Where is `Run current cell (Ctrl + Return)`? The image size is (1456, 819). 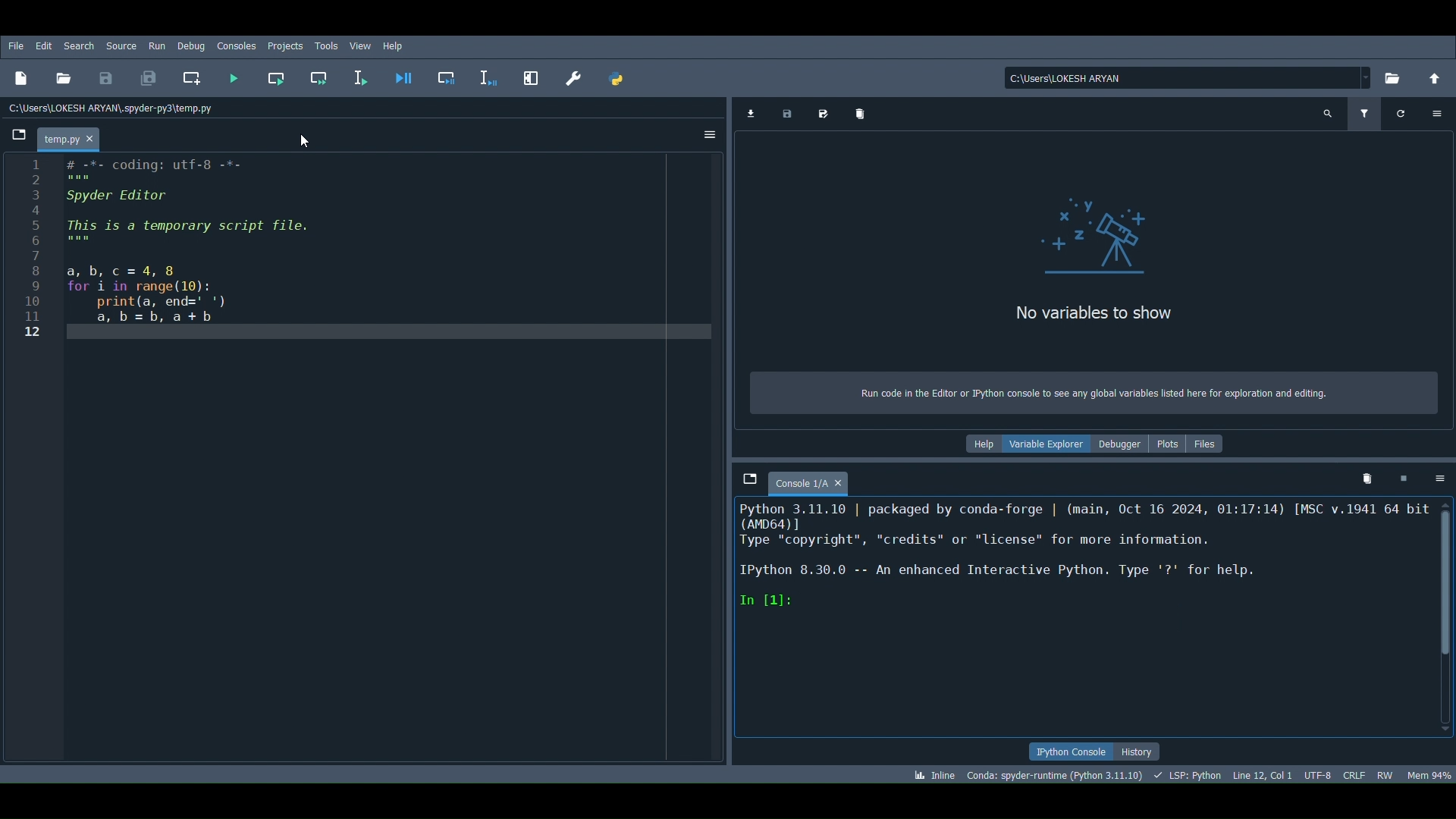
Run current cell (Ctrl + Return) is located at coordinates (278, 75).